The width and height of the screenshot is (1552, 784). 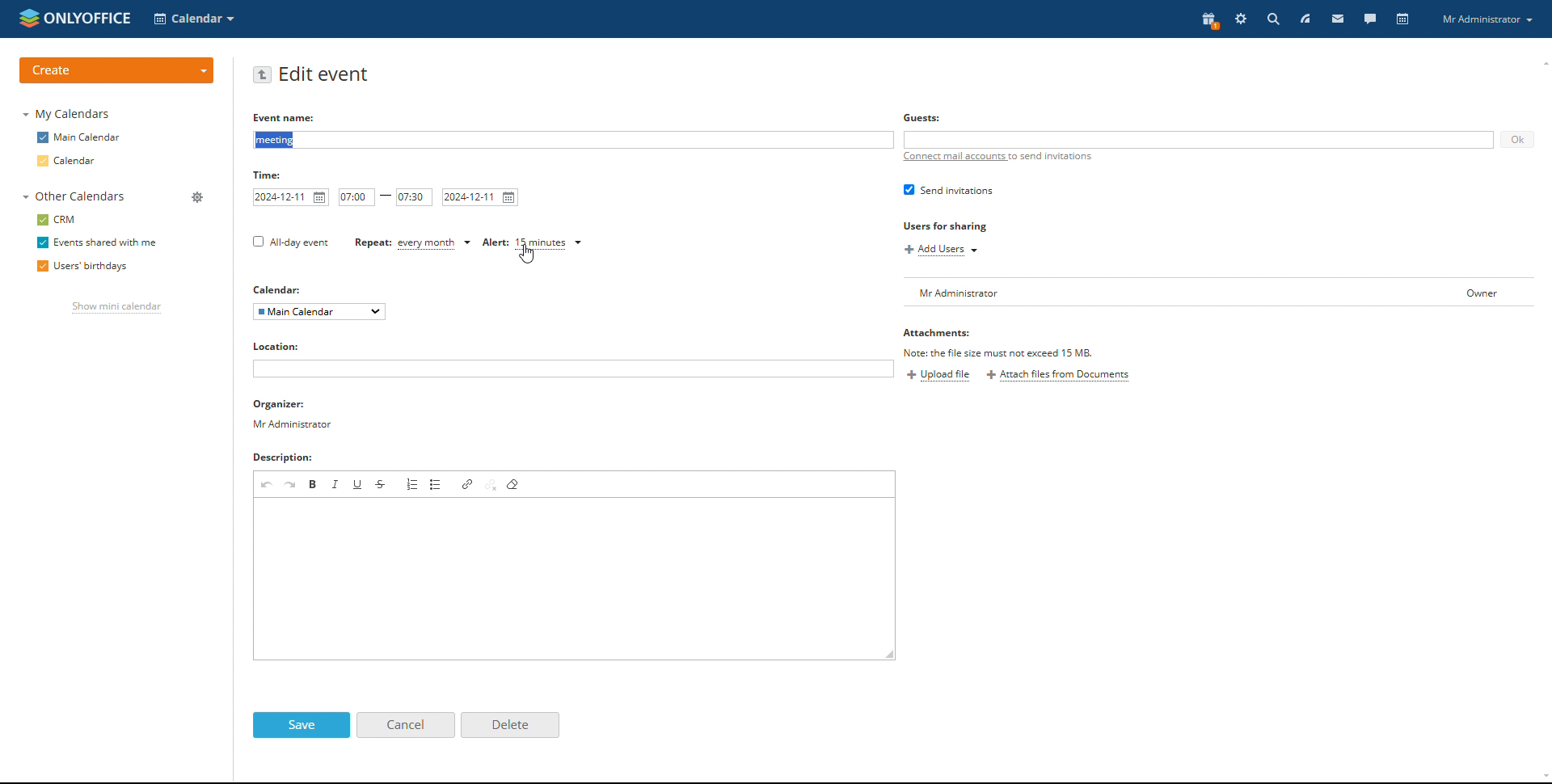 I want to click on redo, so click(x=291, y=484).